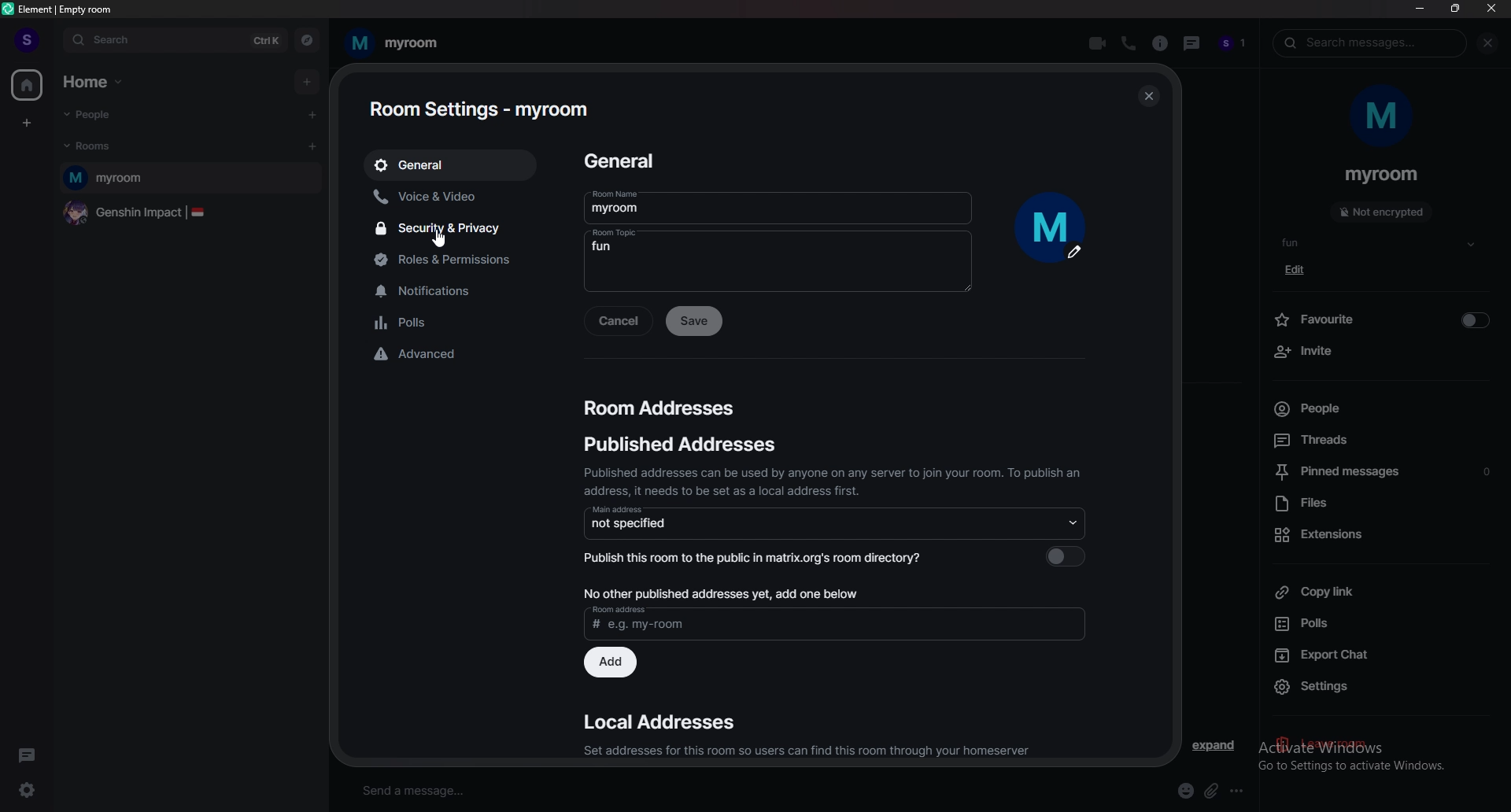 The width and height of the screenshot is (1511, 812). Describe the element at coordinates (1379, 655) in the screenshot. I see `export chat` at that location.